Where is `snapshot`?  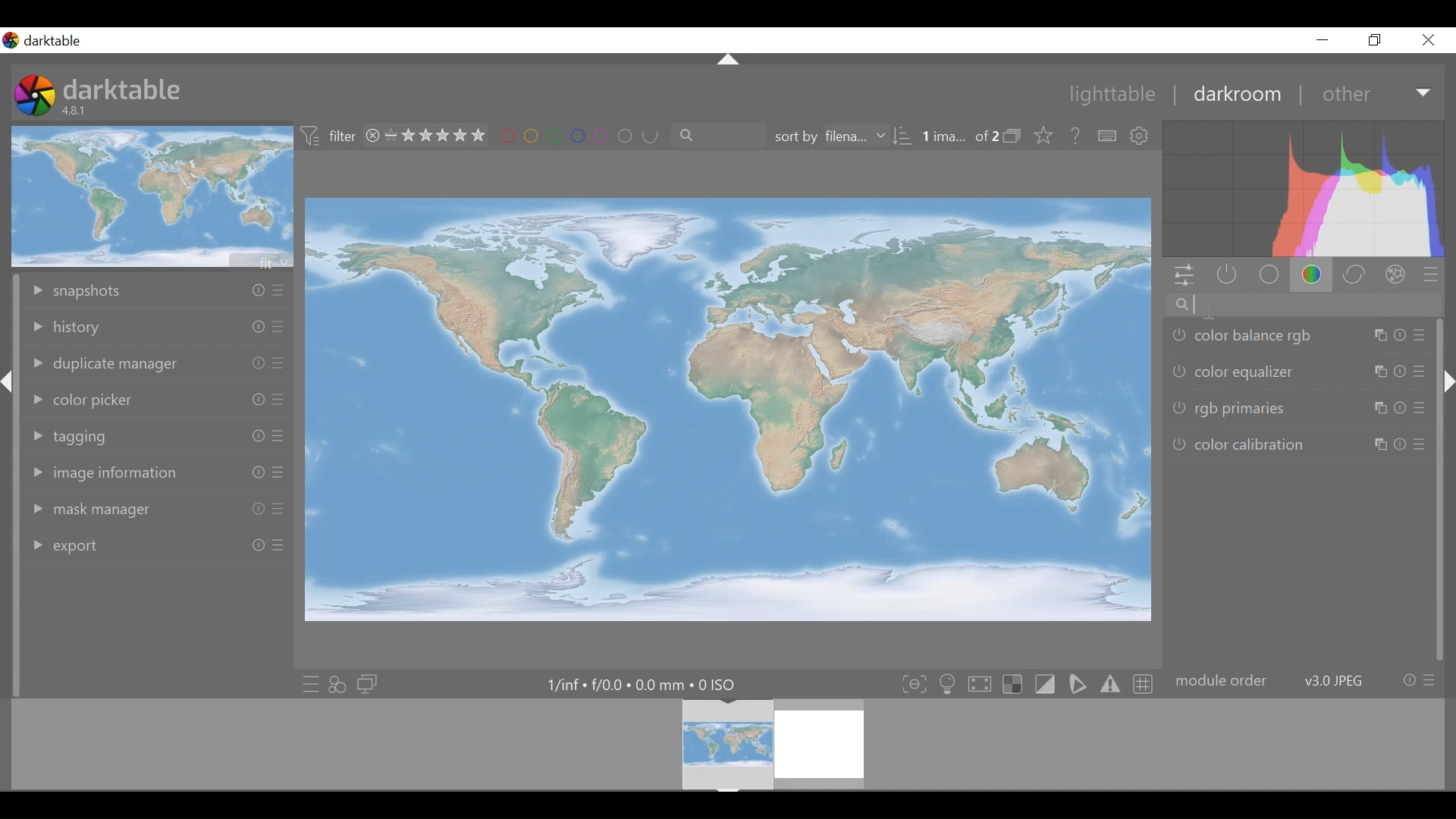 snapshot is located at coordinates (156, 292).